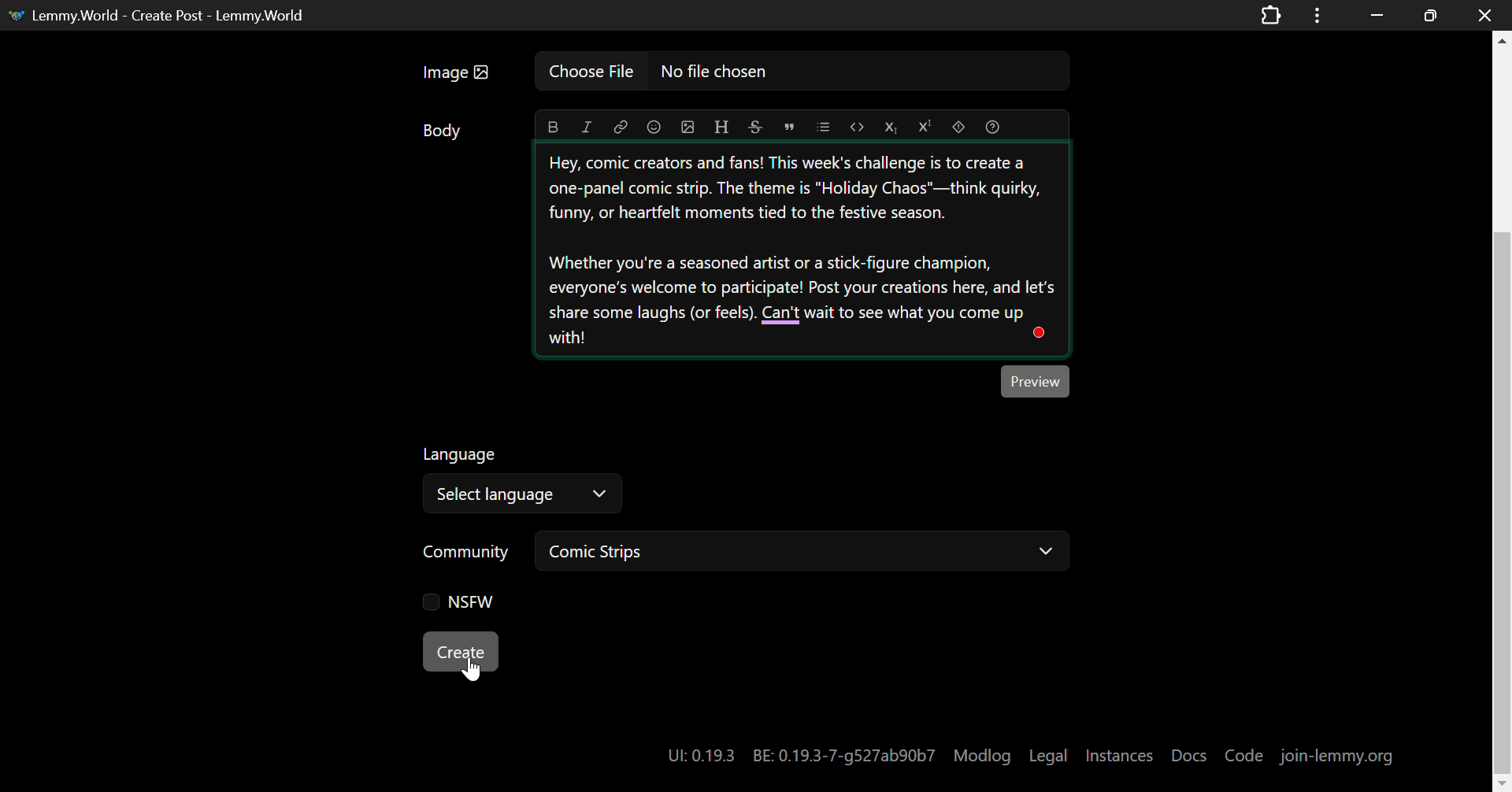 The width and height of the screenshot is (1512, 792). I want to click on Close Window, so click(1480, 13).